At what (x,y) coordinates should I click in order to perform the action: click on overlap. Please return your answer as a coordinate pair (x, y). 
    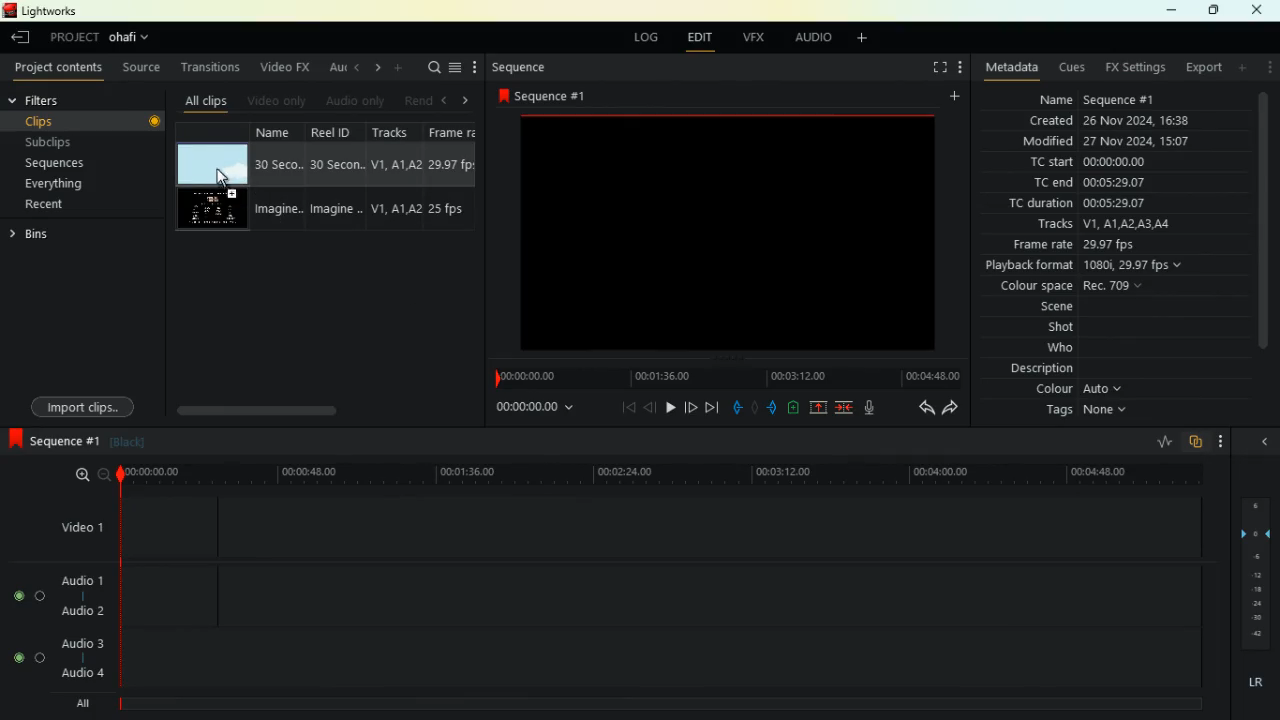
    Looking at the image, I should click on (1196, 441).